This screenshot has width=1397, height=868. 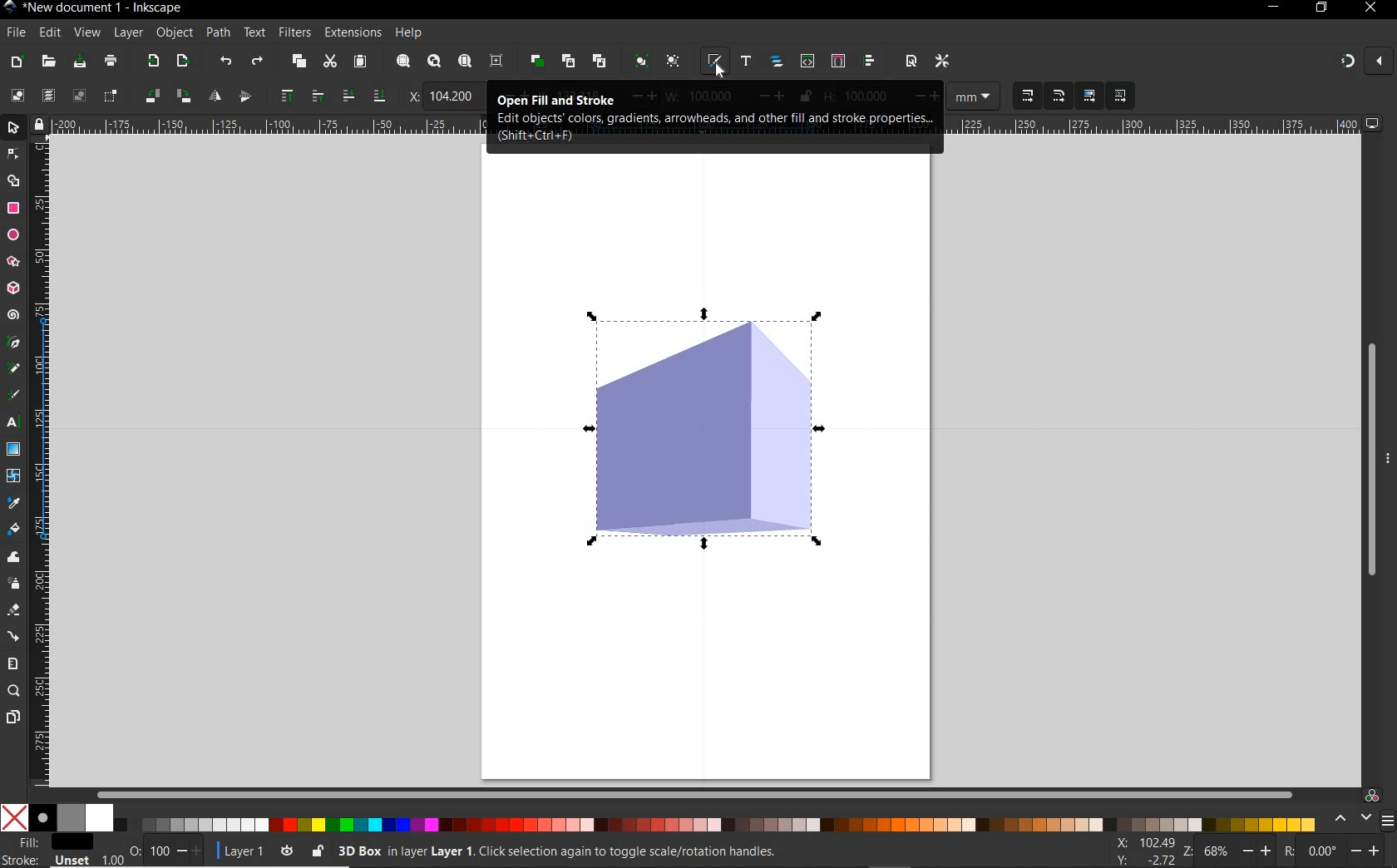 What do you see at coordinates (331, 62) in the screenshot?
I see `CUT` at bounding box center [331, 62].